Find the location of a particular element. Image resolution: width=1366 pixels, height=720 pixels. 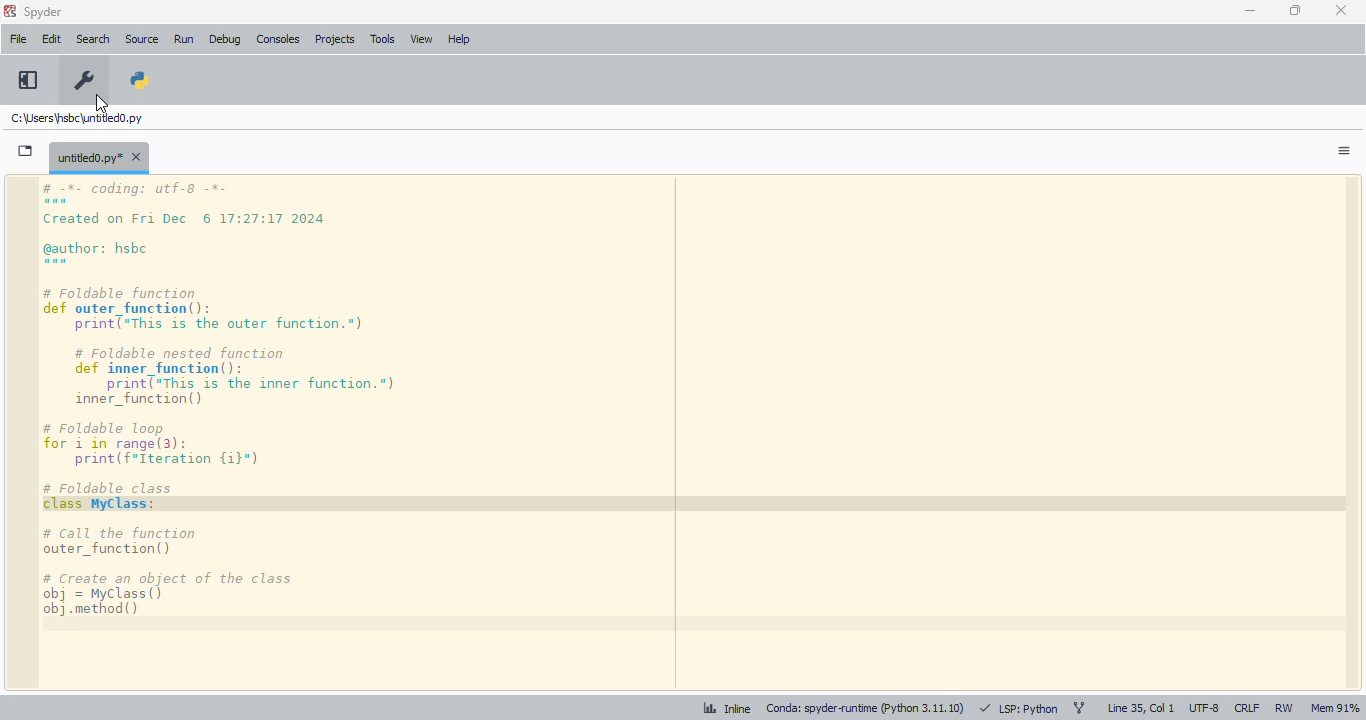

view is located at coordinates (422, 39).